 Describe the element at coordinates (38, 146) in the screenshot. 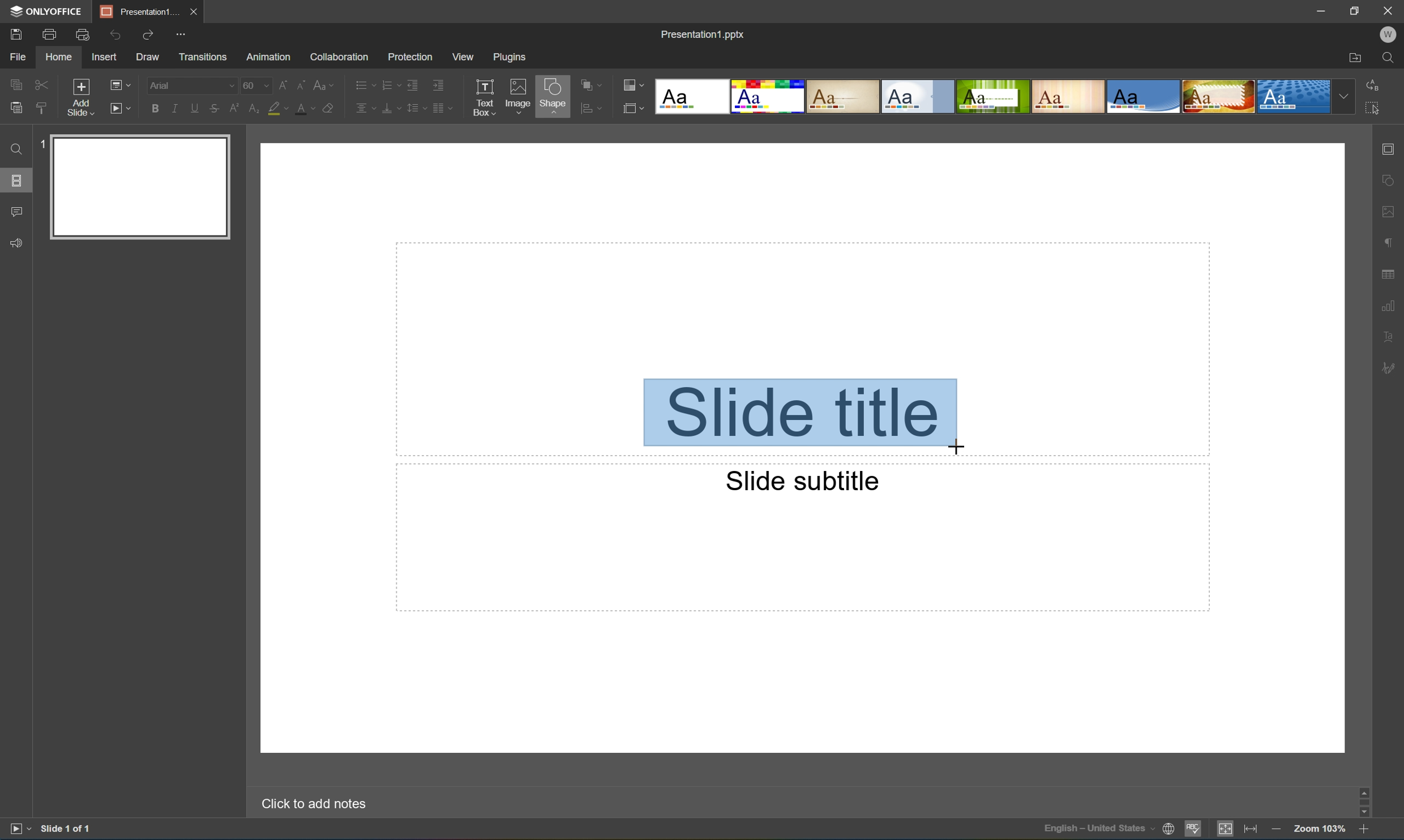

I see `1` at that location.